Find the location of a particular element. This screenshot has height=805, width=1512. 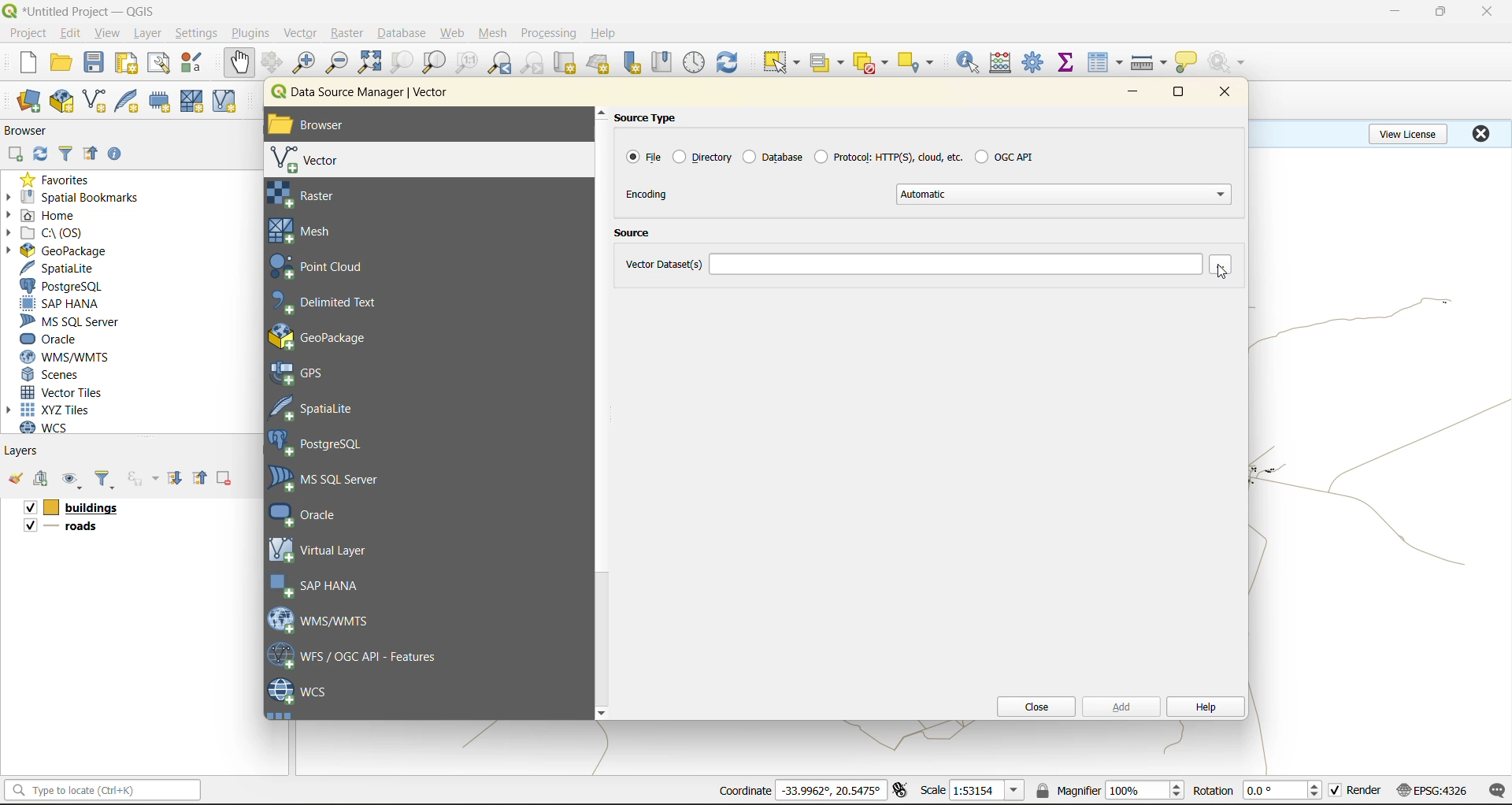

directory is located at coordinates (703, 157).